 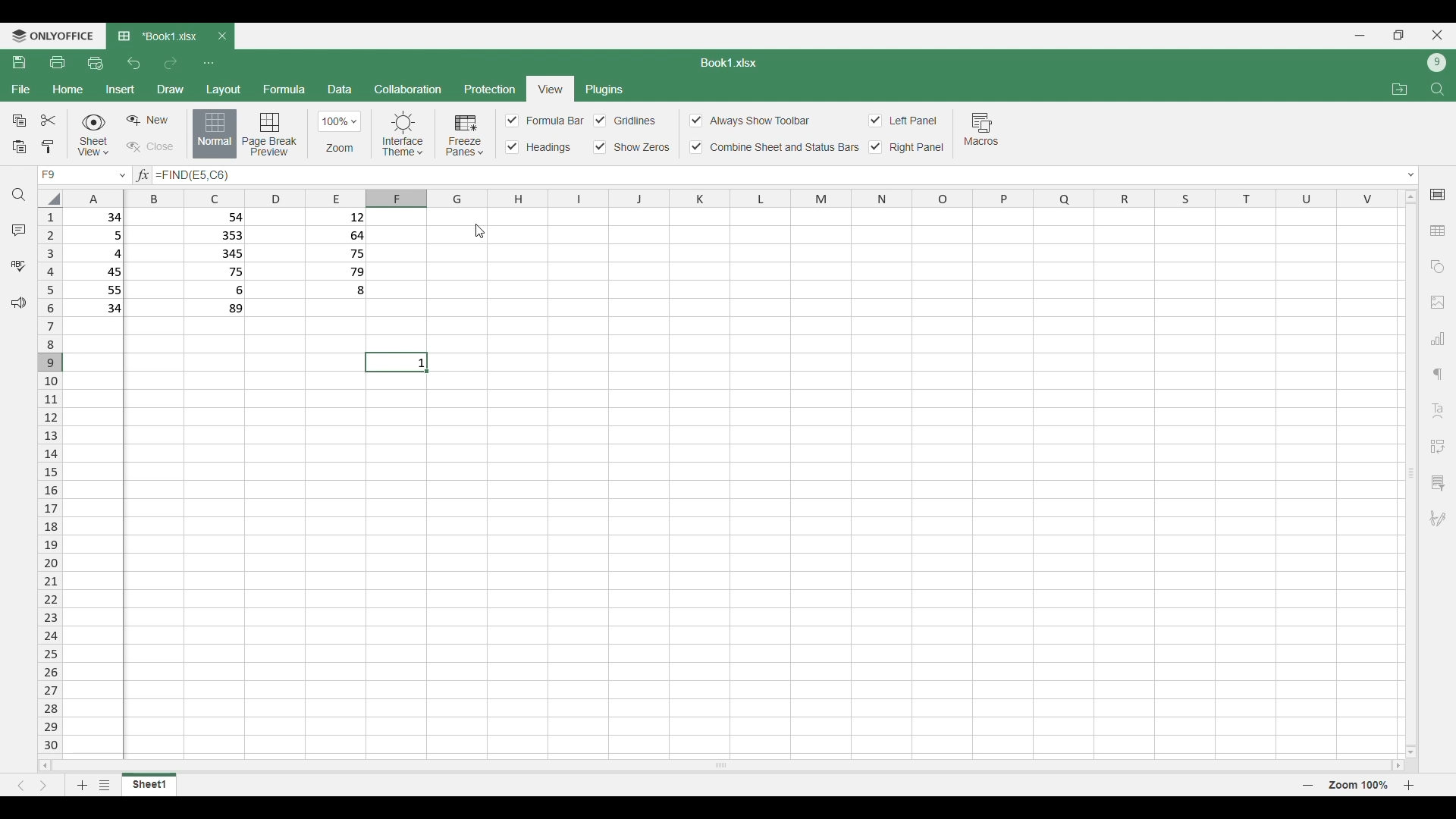 What do you see at coordinates (905, 147) in the screenshot?
I see `Right panel toggle` at bounding box center [905, 147].